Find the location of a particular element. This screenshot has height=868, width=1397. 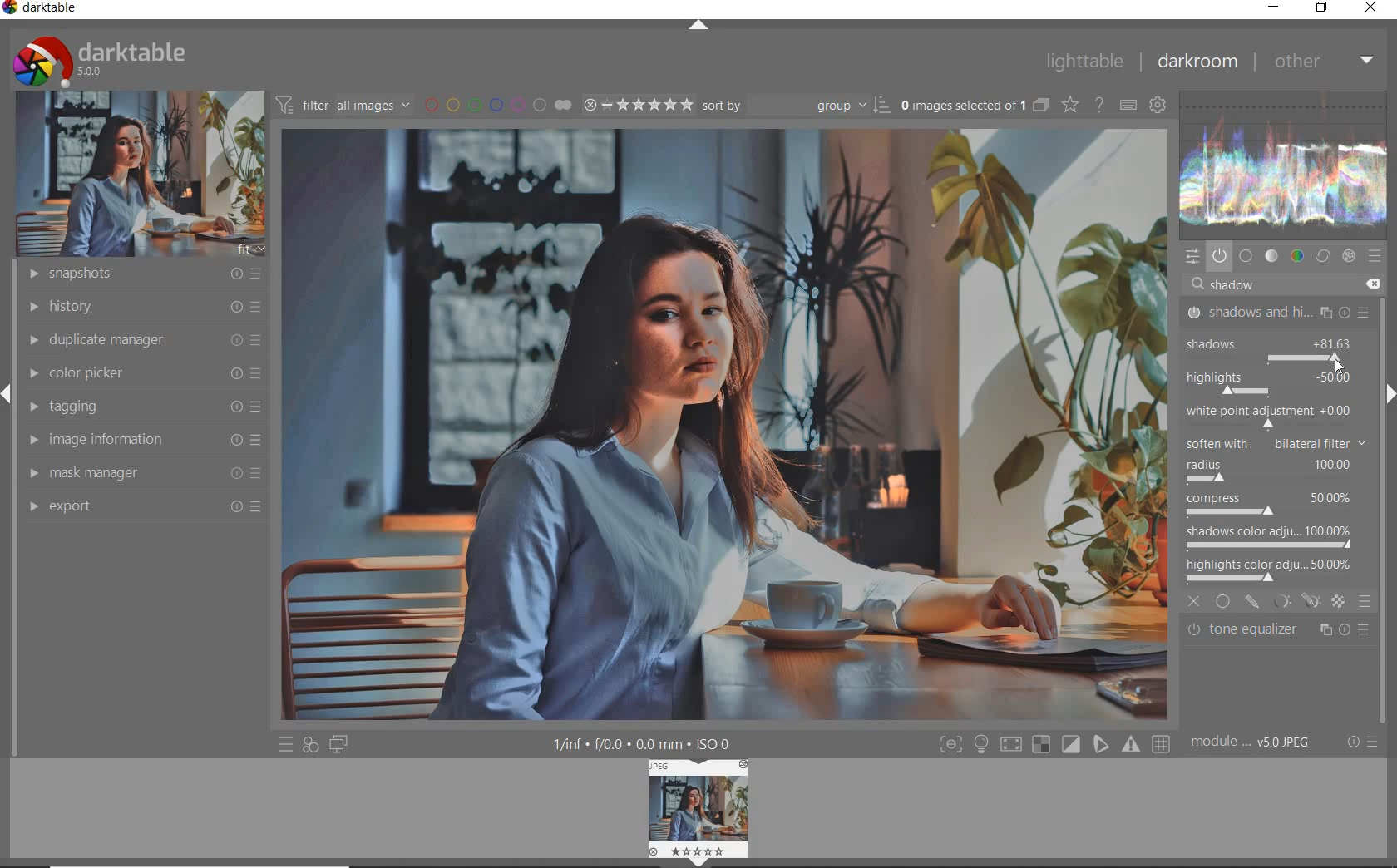

mask manager is located at coordinates (144, 475).